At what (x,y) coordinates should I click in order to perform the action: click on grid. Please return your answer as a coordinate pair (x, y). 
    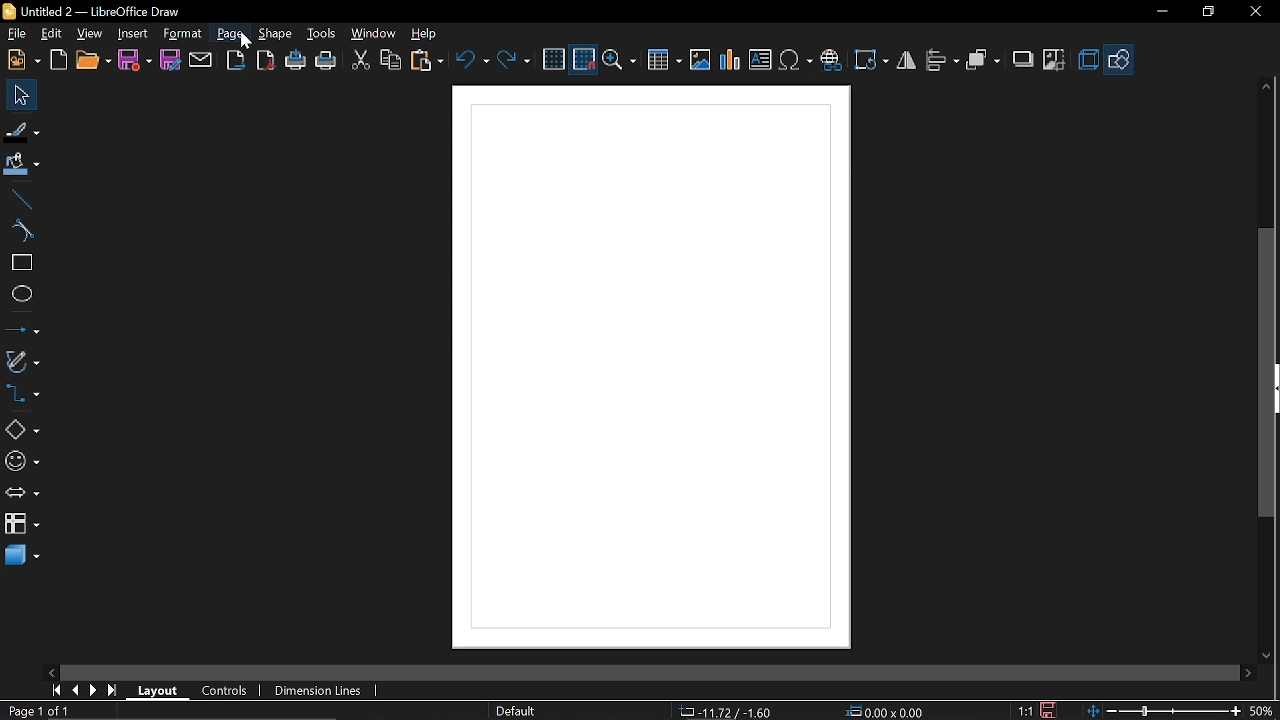
    Looking at the image, I should click on (554, 59).